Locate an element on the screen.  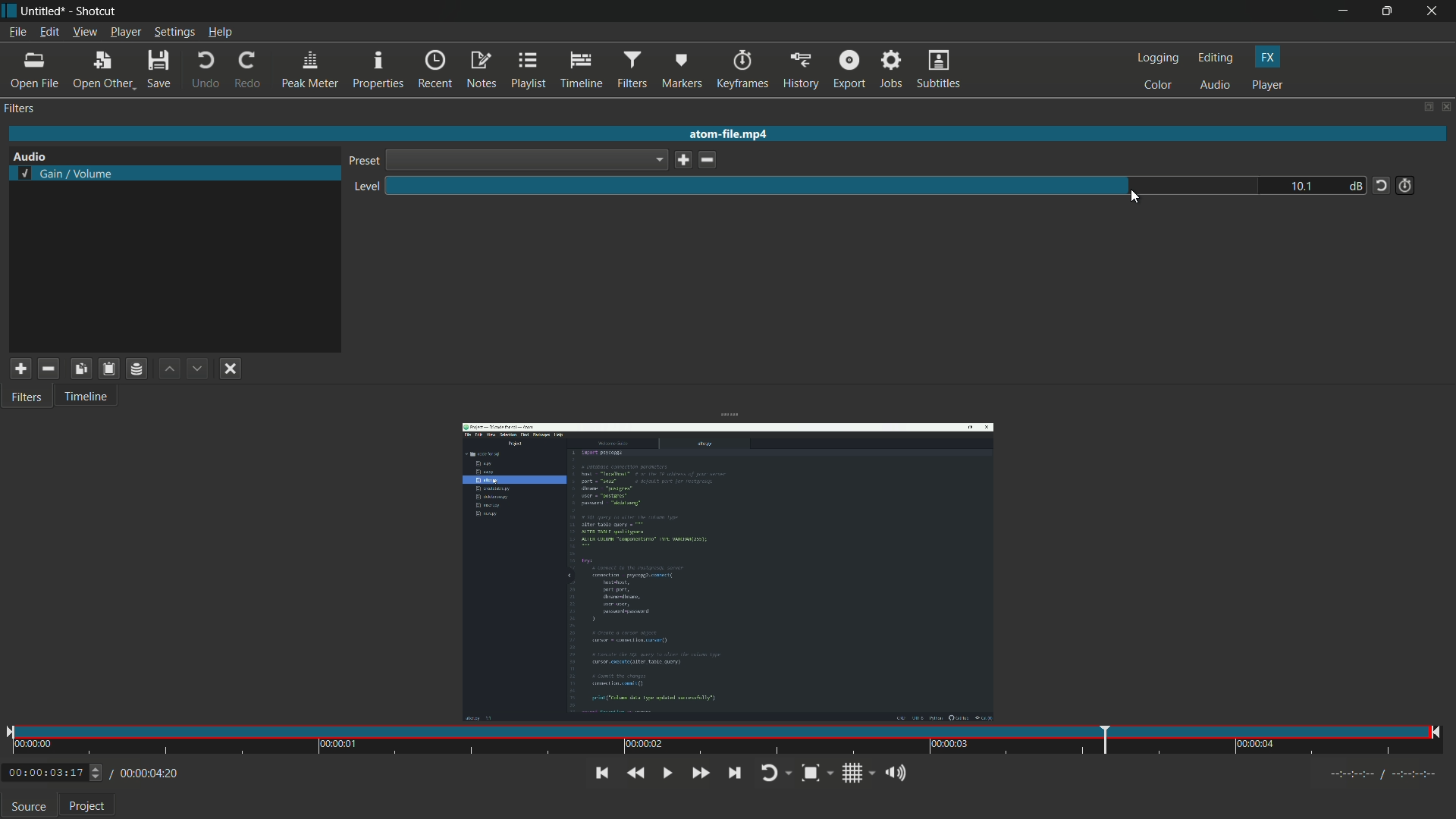
redo is located at coordinates (249, 71).